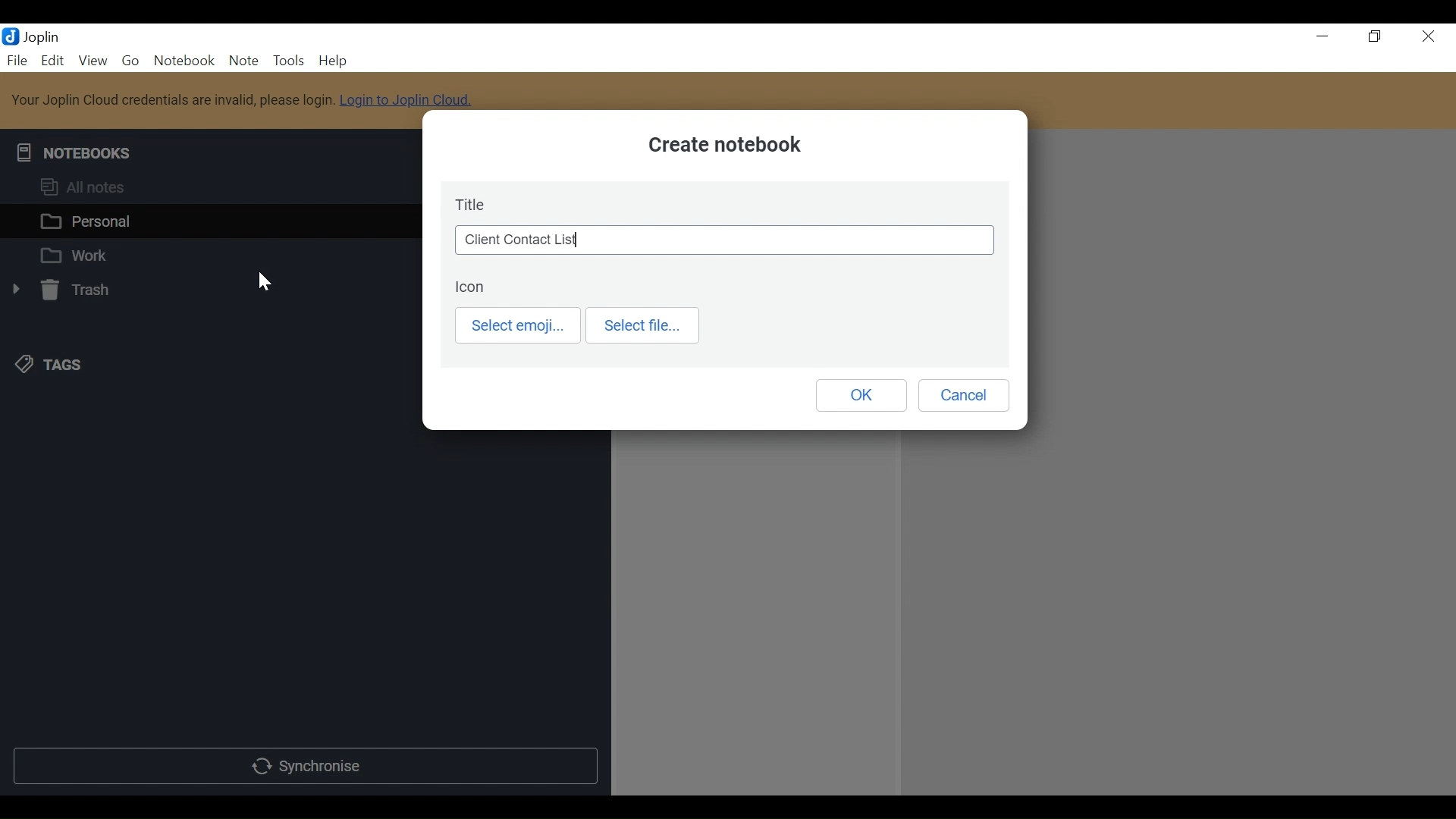 This screenshot has height=819, width=1456. Describe the element at coordinates (520, 326) in the screenshot. I see `Select emoji` at that location.